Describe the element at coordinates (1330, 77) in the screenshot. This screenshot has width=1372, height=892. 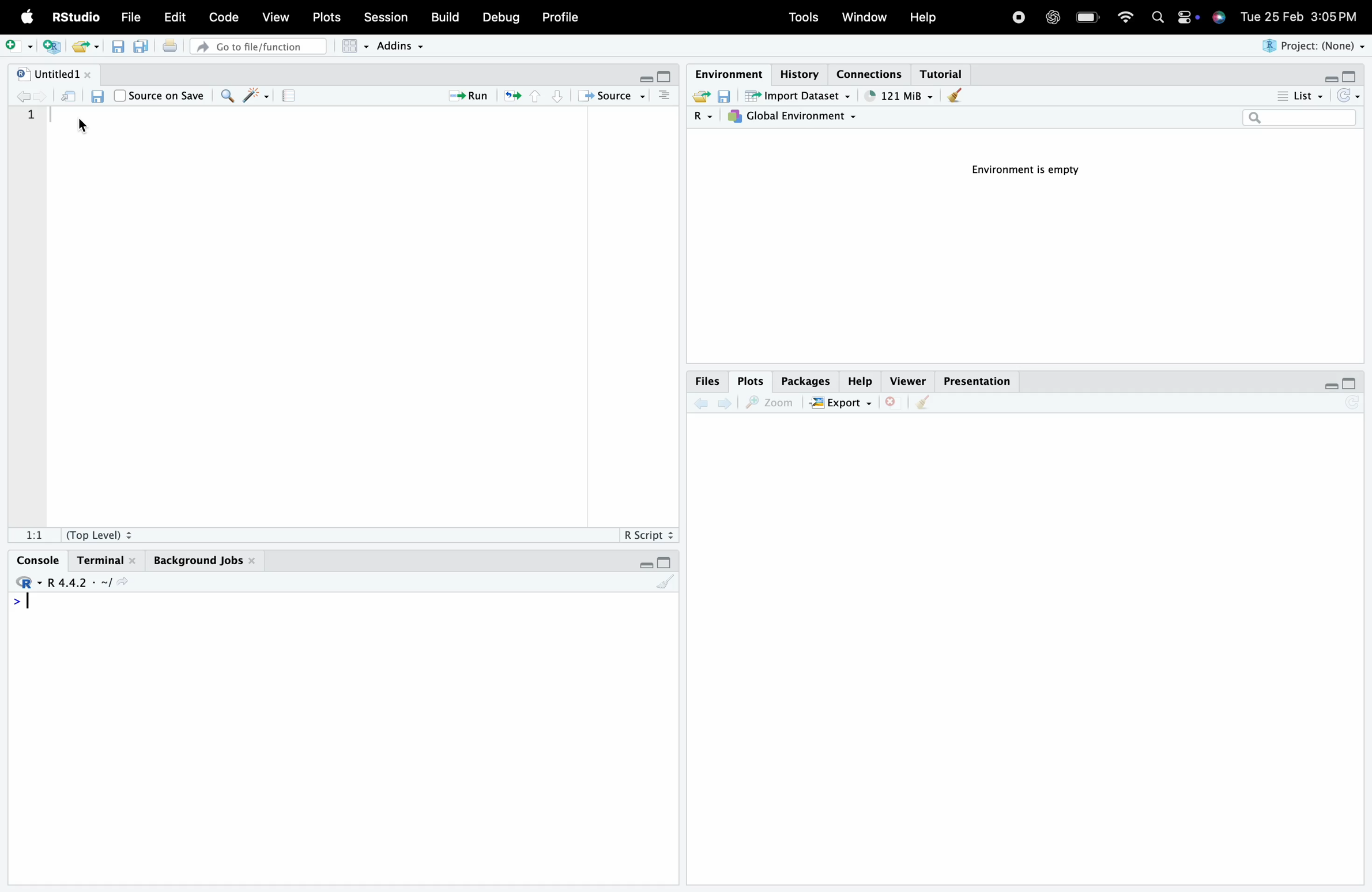
I see `Minimize` at that location.